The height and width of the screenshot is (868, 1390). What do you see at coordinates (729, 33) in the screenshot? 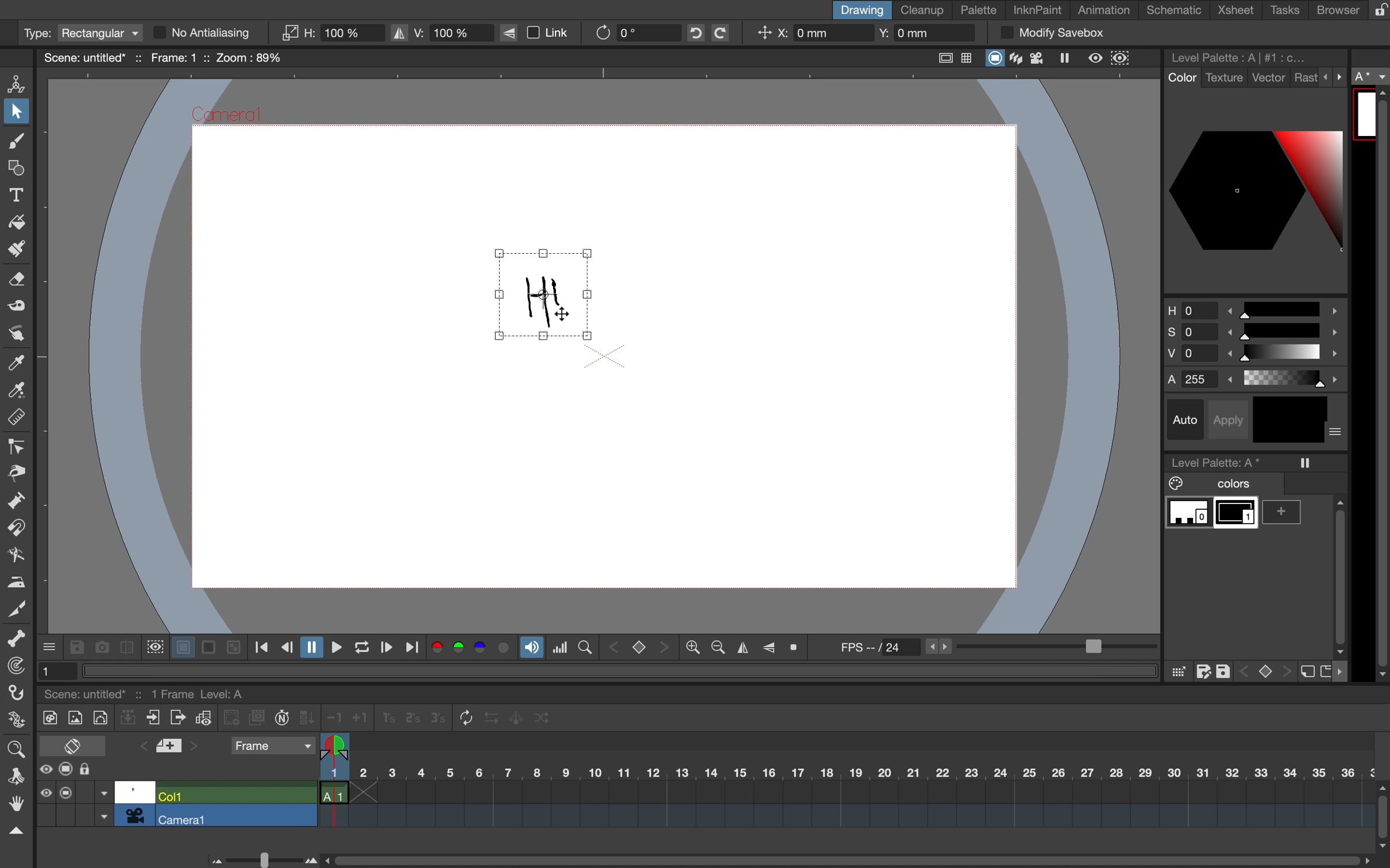
I see `redo` at bounding box center [729, 33].